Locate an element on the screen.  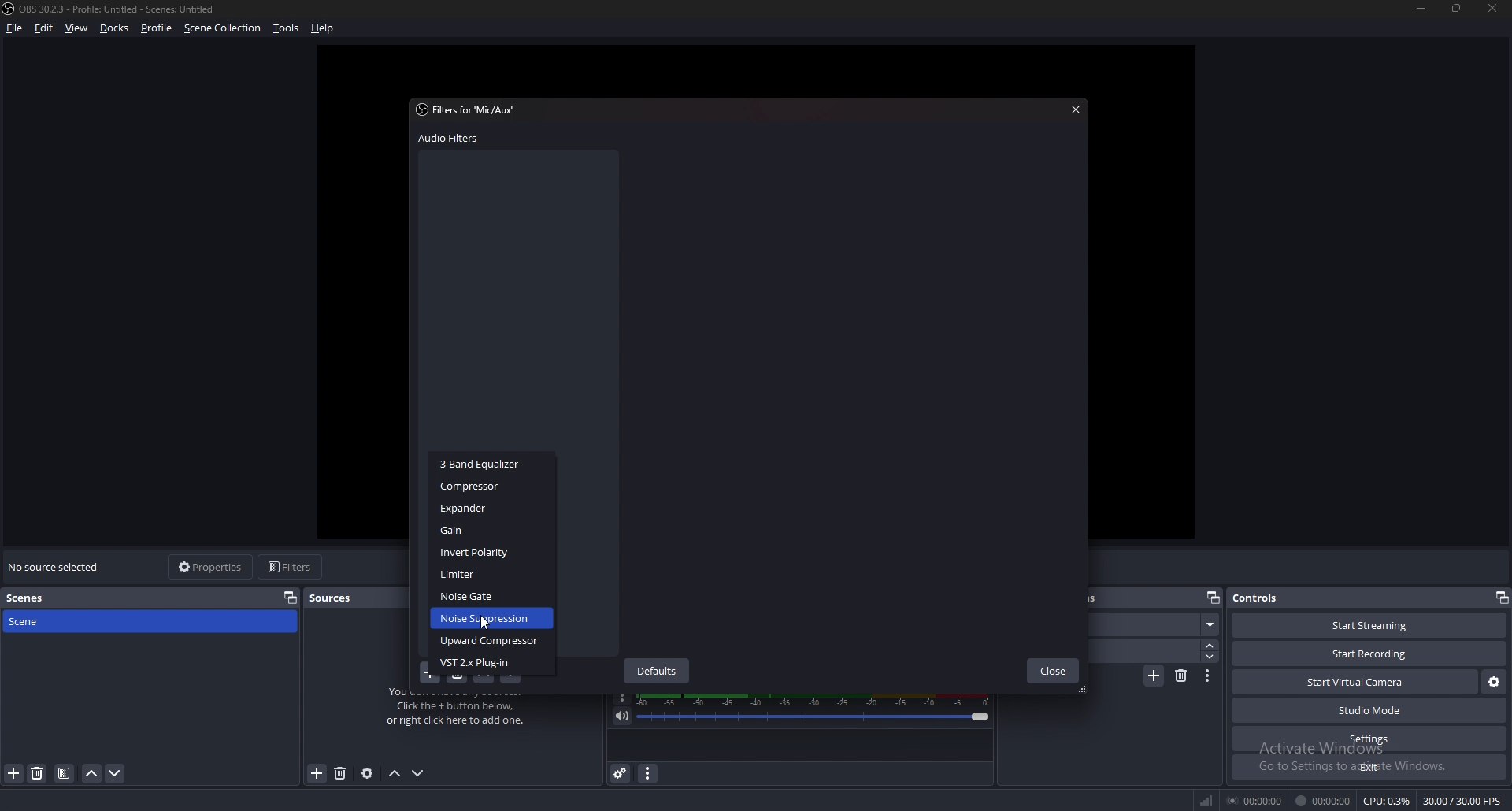
virtual camera settings is located at coordinates (1493, 682).